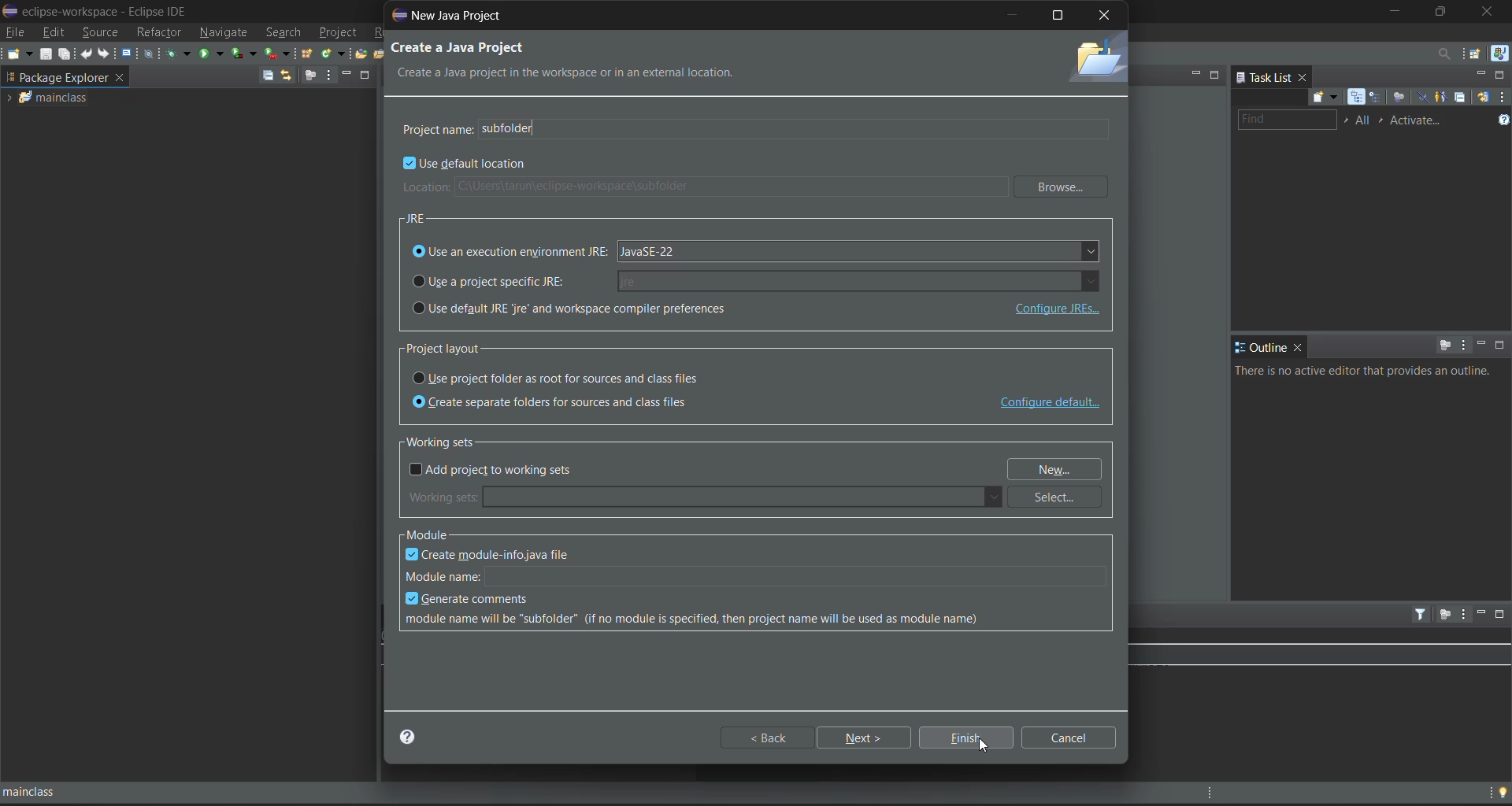  I want to click on select, so click(1061, 497).